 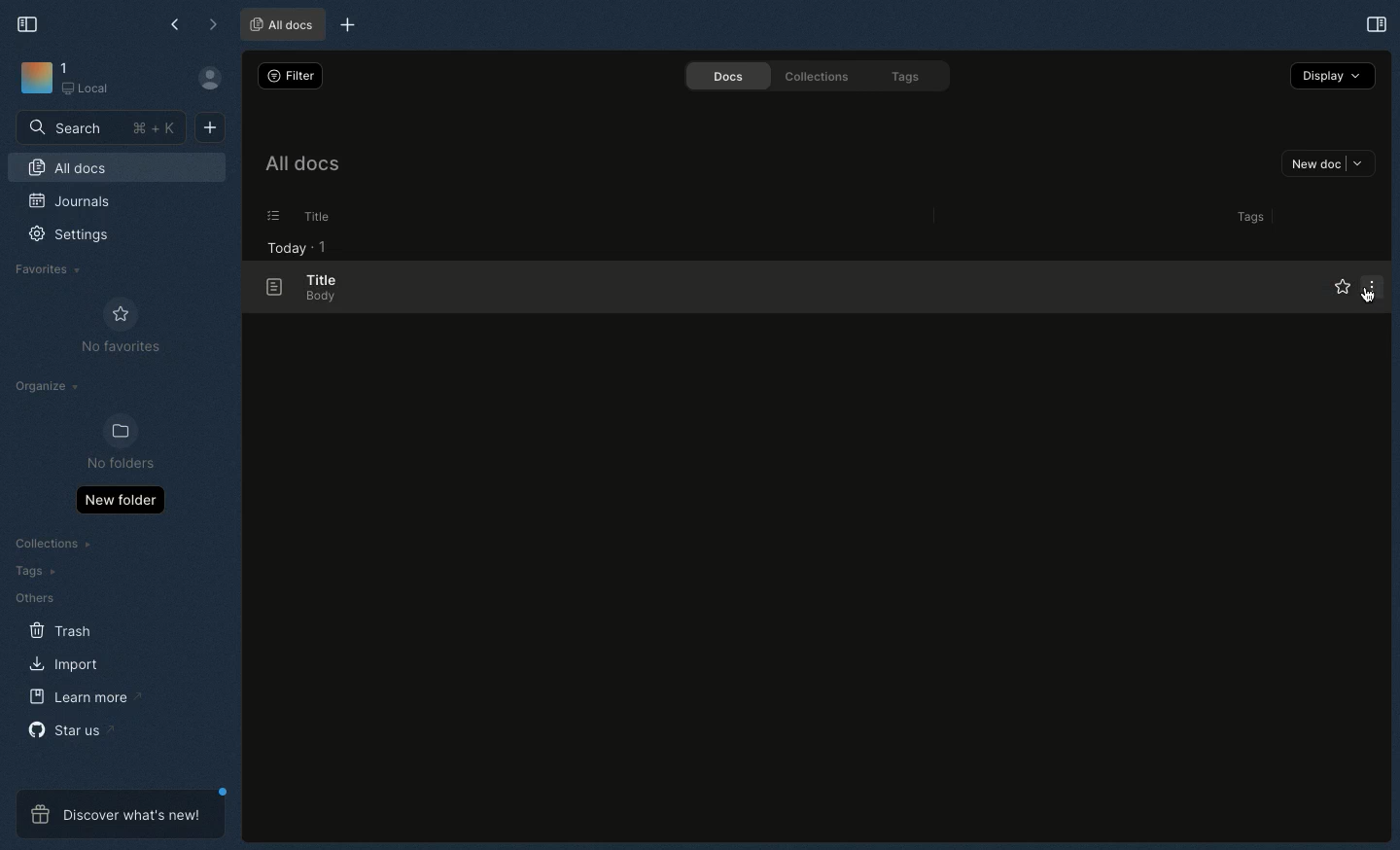 What do you see at coordinates (1369, 286) in the screenshot?
I see `Options` at bounding box center [1369, 286].